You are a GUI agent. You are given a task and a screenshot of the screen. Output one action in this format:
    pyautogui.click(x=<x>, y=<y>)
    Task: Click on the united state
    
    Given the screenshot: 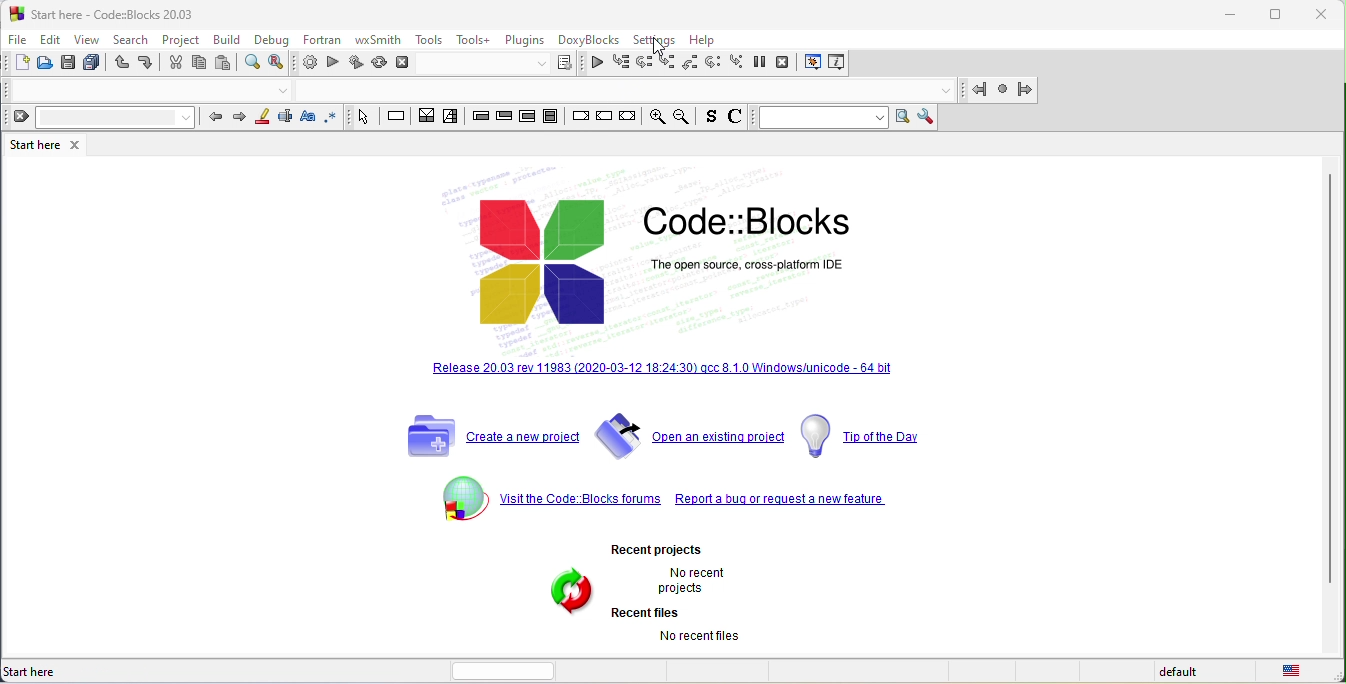 What is the action you would take?
    pyautogui.click(x=1290, y=673)
    